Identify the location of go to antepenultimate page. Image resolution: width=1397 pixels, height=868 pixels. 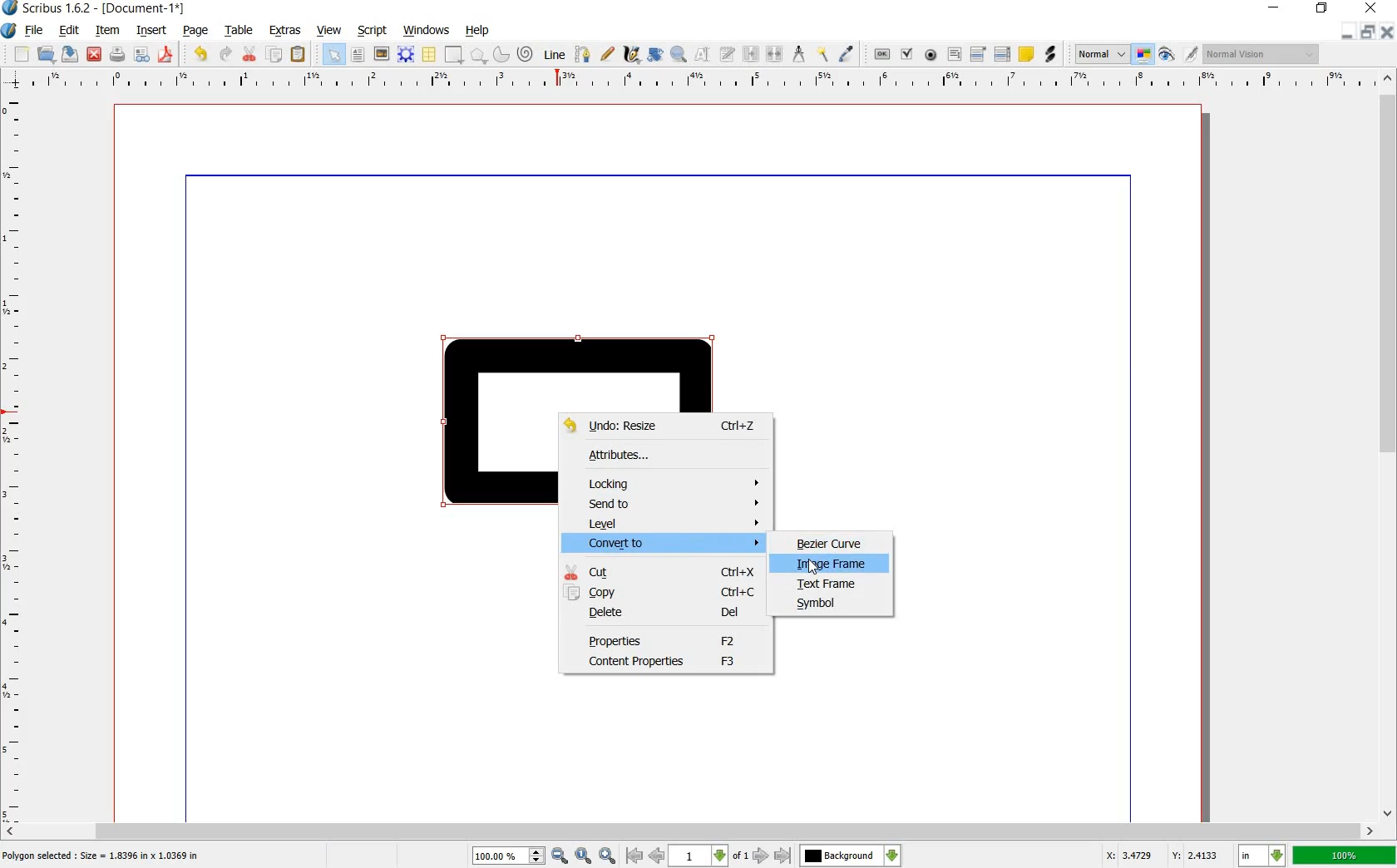
(634, 856).